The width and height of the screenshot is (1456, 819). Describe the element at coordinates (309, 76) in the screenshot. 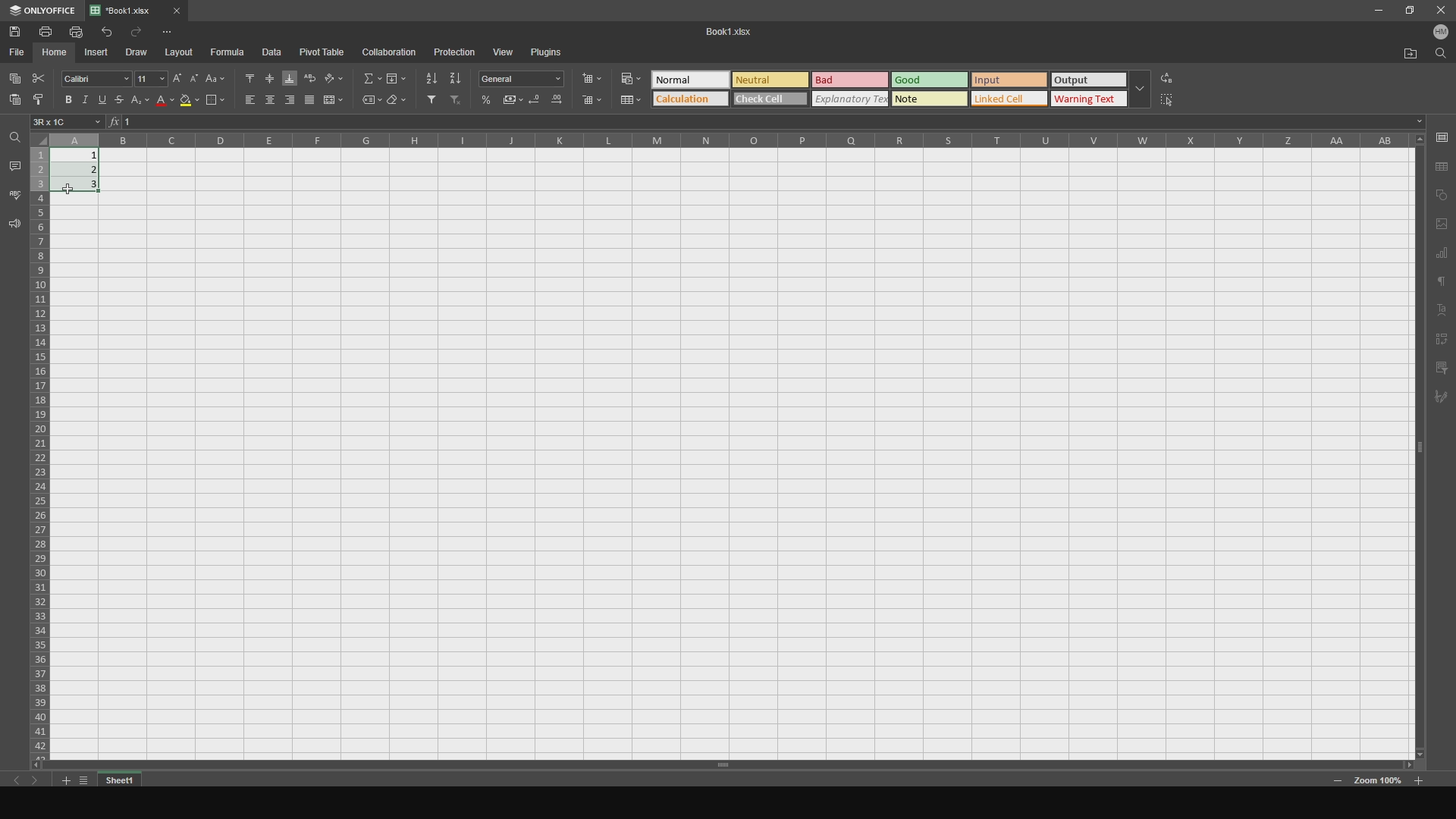

I see `wrap text` at that location.